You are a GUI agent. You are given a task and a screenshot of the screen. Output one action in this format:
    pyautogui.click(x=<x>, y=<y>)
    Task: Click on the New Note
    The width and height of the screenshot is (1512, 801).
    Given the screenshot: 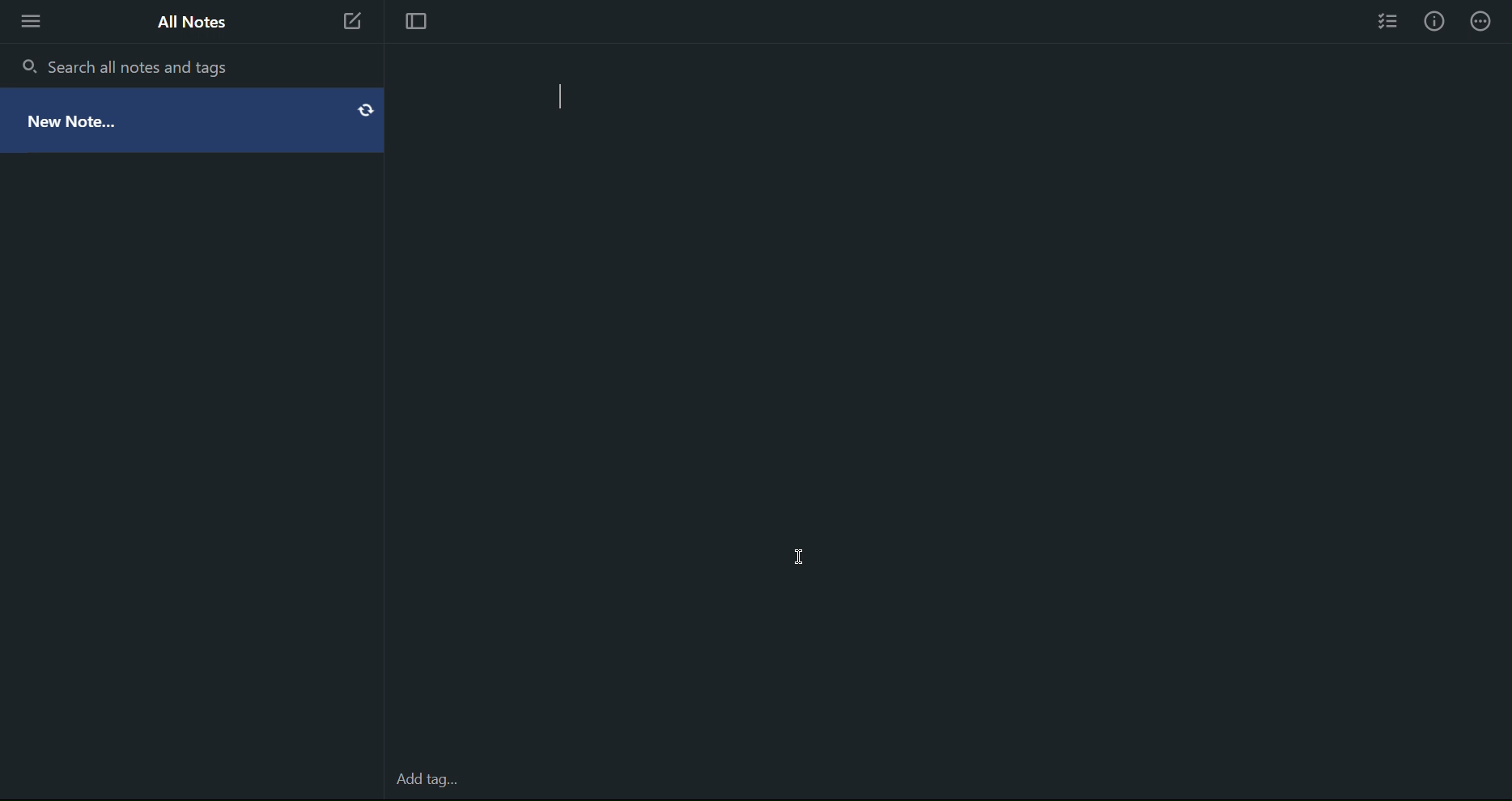 What is the action you would take?
    pyautogui.click(x=354, y=20)
    